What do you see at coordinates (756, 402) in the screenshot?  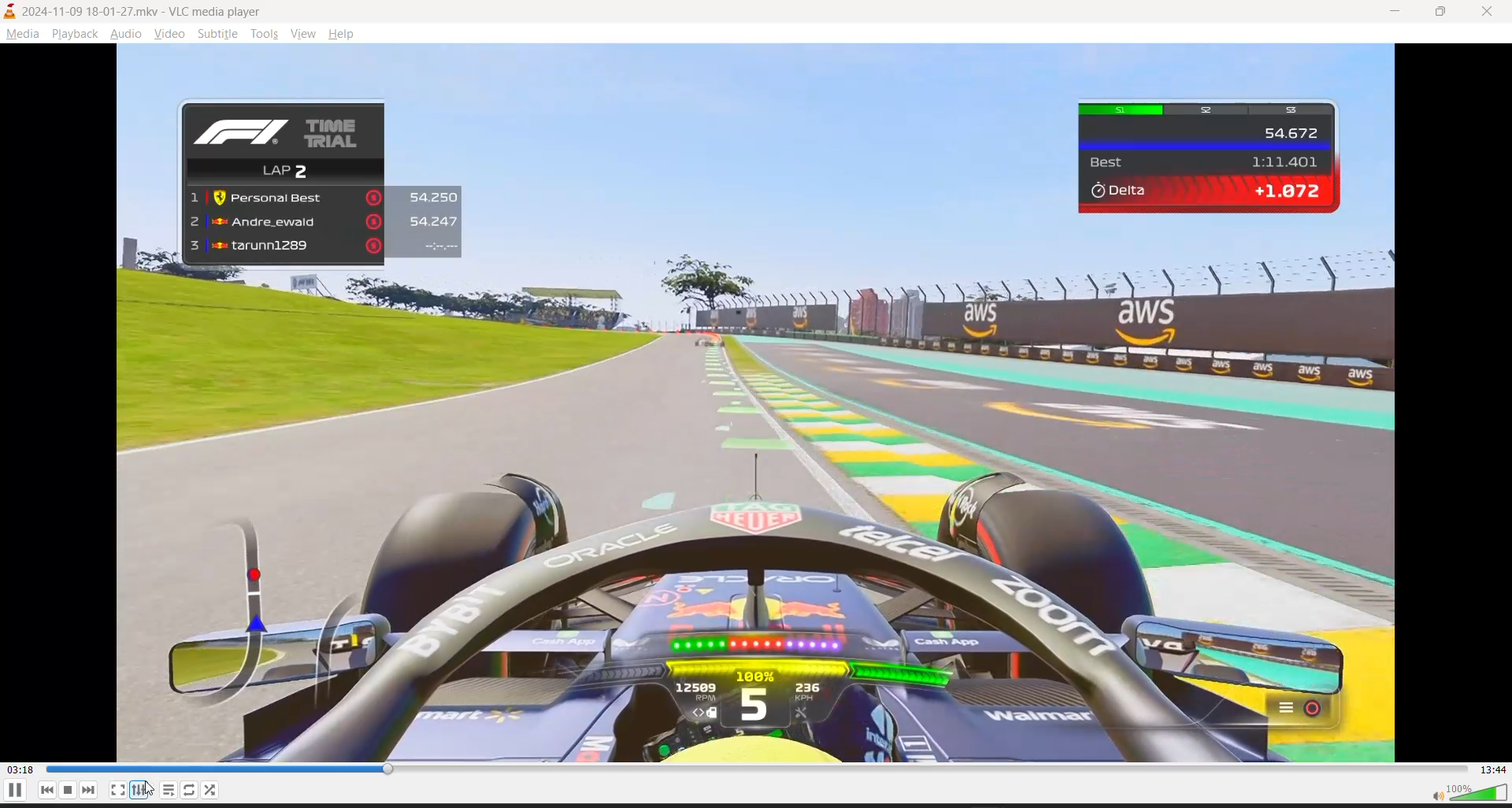 I see `video playback` at bounding box center [756, 402].